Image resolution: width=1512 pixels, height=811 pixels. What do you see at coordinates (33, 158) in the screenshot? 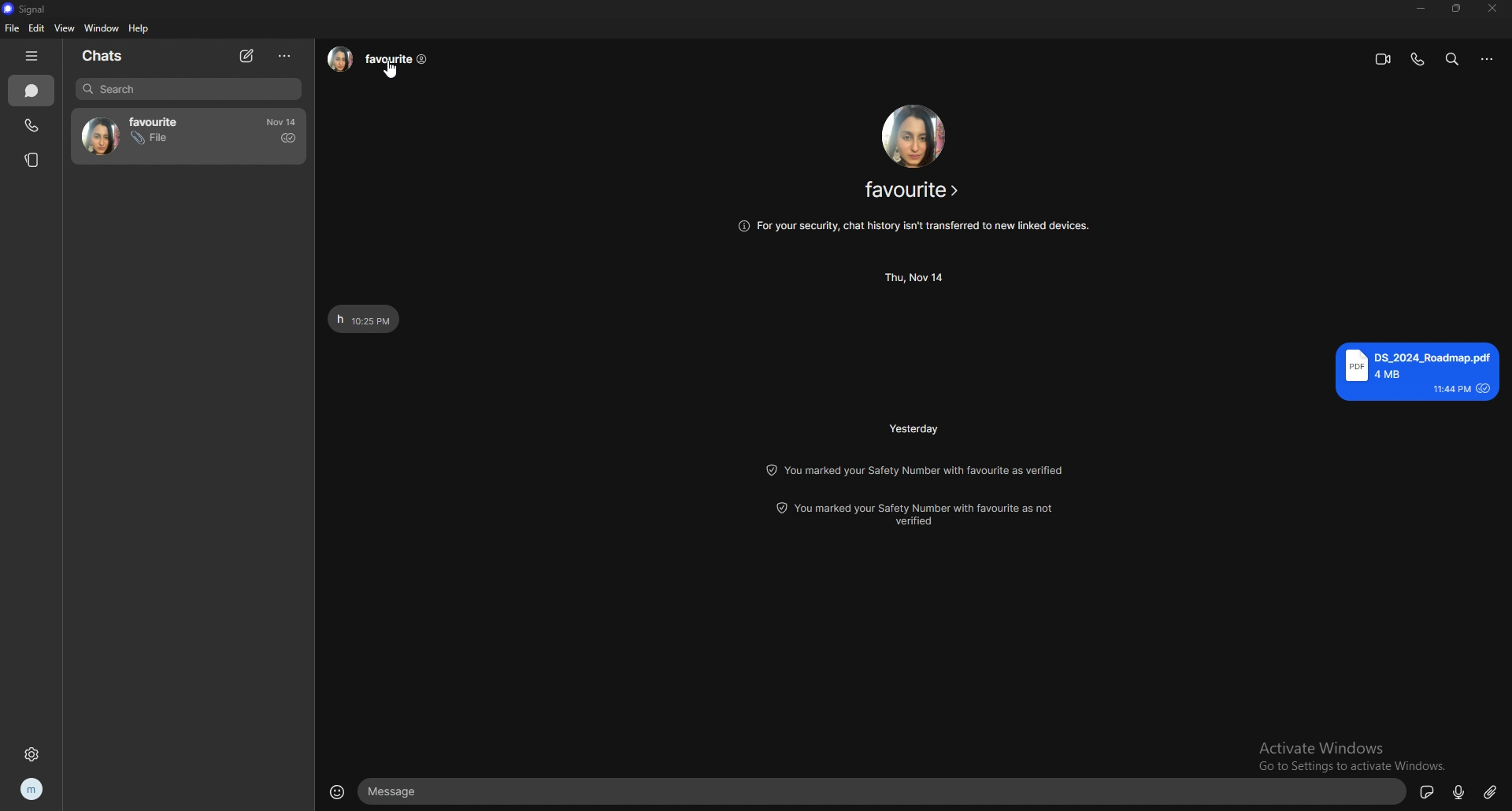
I see `stories` at bounding box center [33, 158].